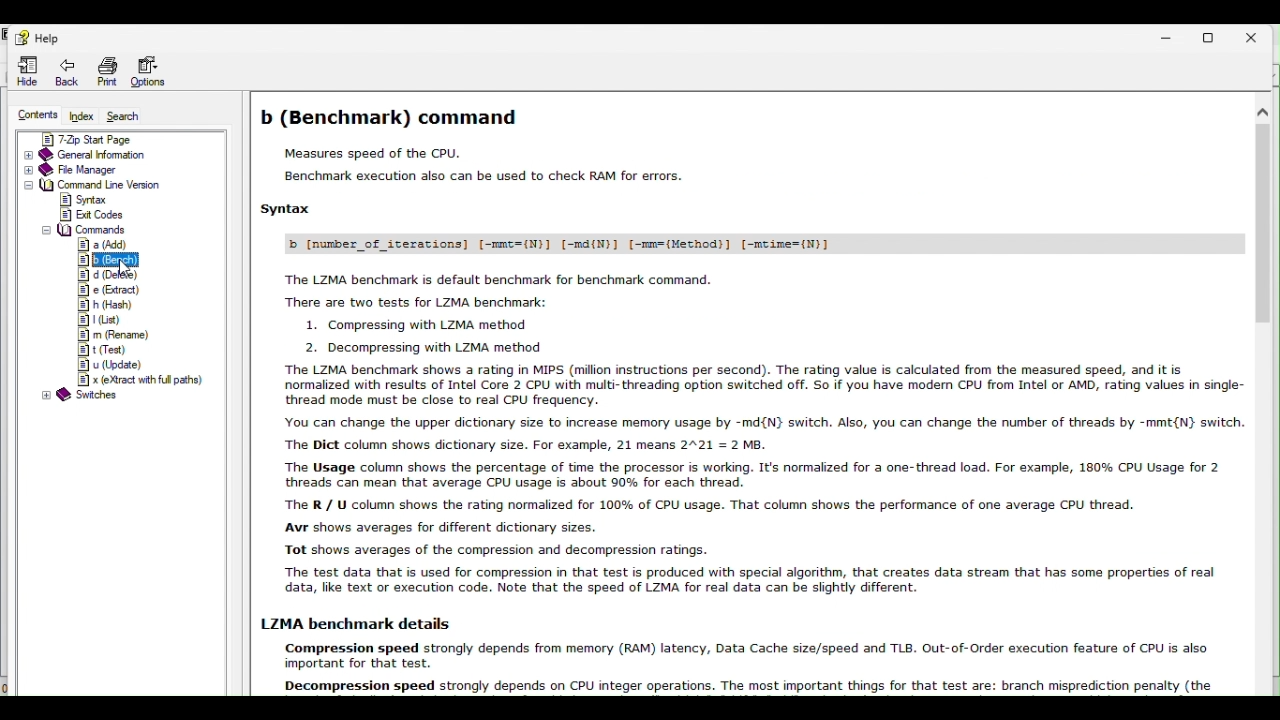 This screenshot has height=720, width=1280. What do you see at coordinates (117, 365) in the screenshot?
I see `u` at bounding box center [117, 365].